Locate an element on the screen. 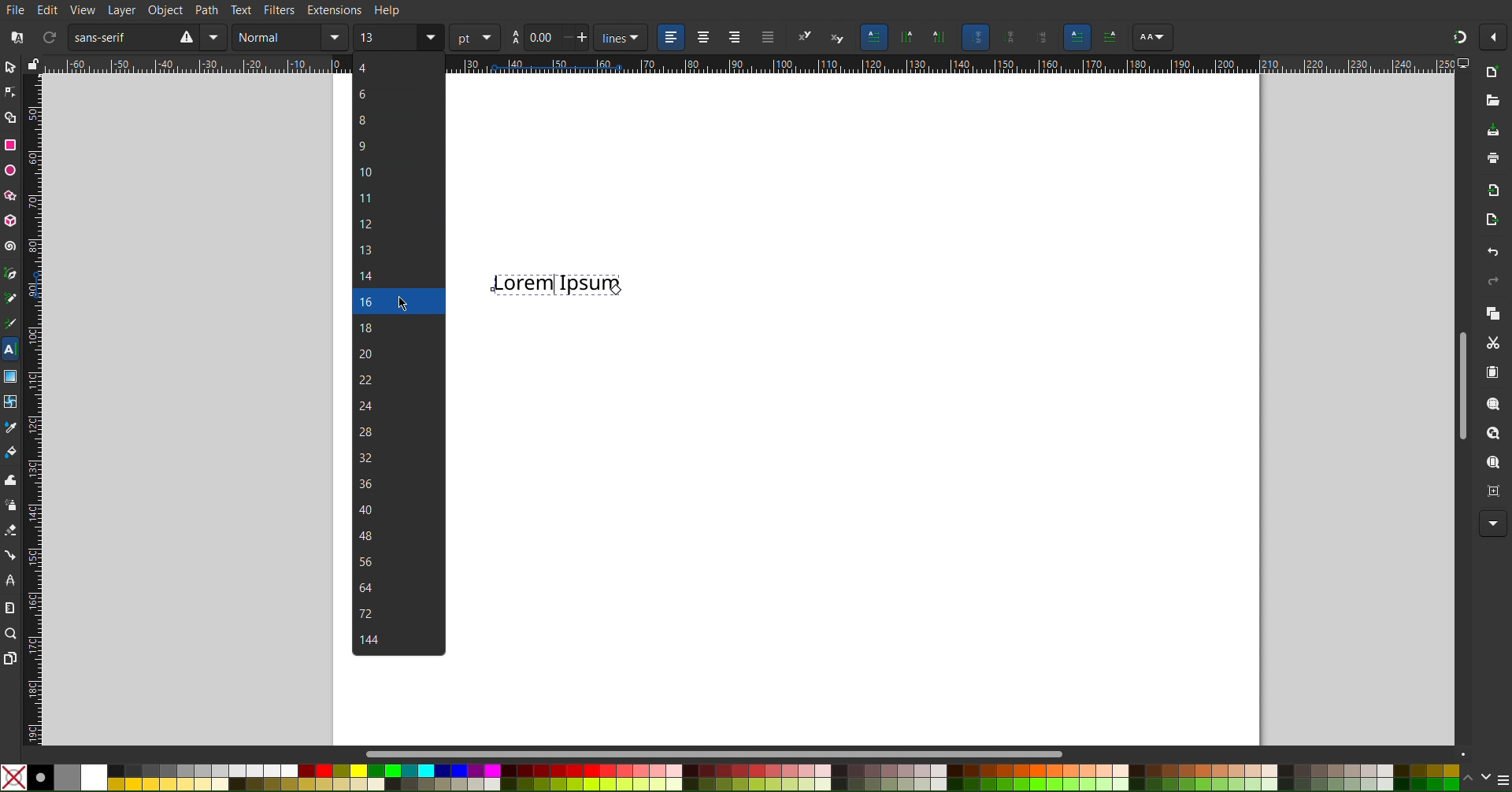 The height and width of the screenshot is (792, 1512). Pages Tool is located at coordinates (10, 658).